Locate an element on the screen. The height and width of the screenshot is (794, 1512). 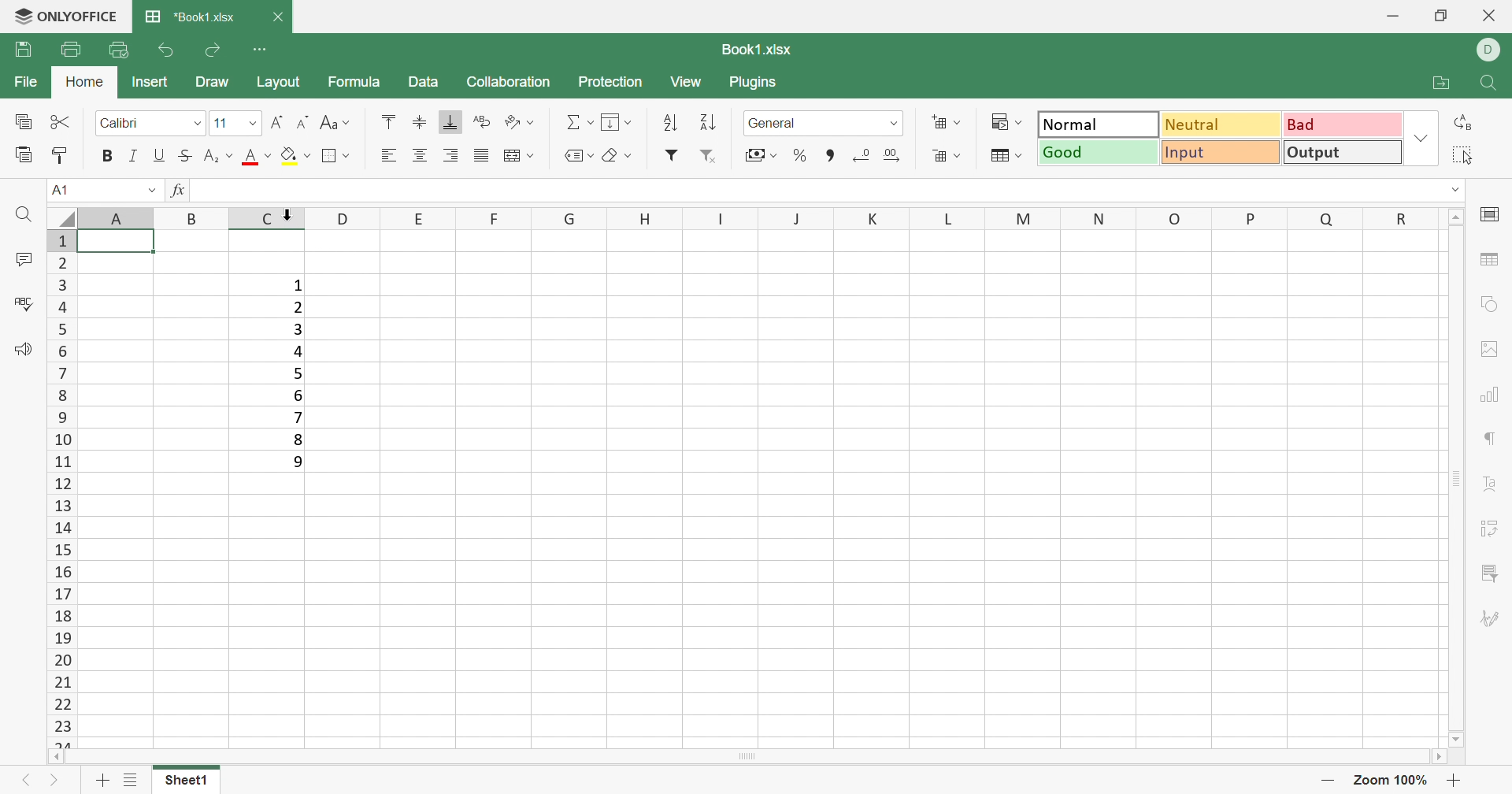
Next is located at coordinates (57, 783).